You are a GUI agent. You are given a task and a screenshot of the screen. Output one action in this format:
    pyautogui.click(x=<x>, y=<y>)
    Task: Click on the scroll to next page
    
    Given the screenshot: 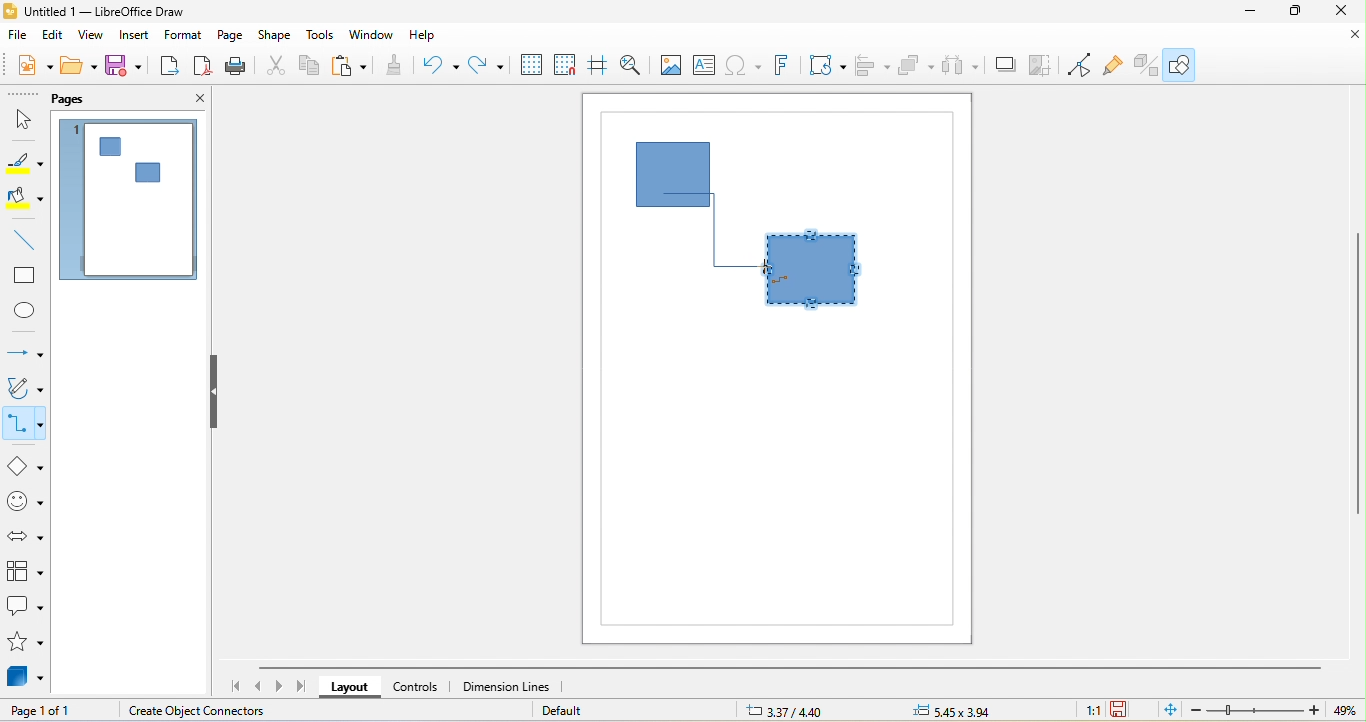 What is the action you would take?
    pyautogui.click(x=280, y=688)
    